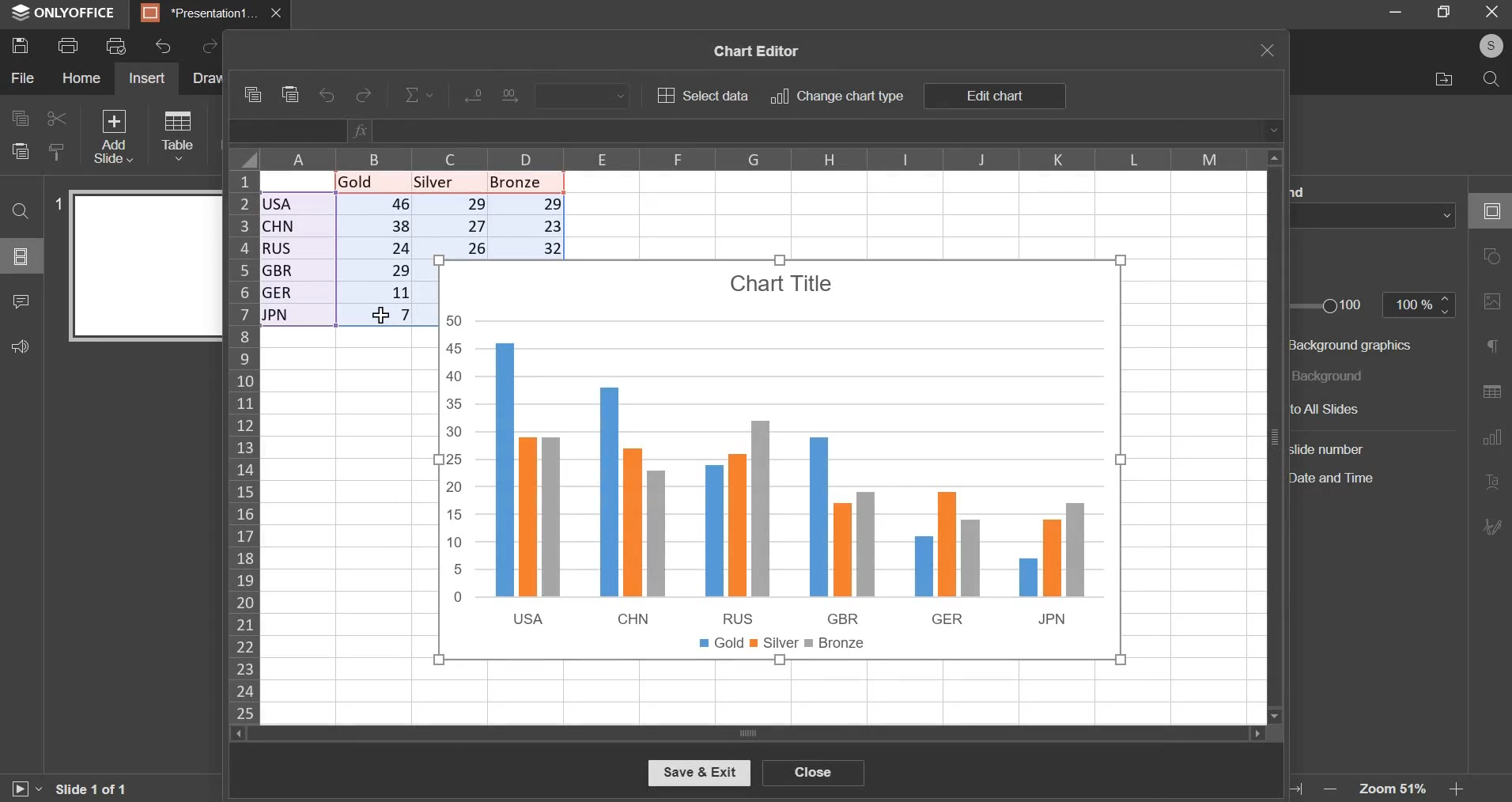 The width and height of the screenshot is (1512, 802). What do you see at coordinates (702, 95) in the screenshot?
I see `select data` at bounding box center [702, 95].